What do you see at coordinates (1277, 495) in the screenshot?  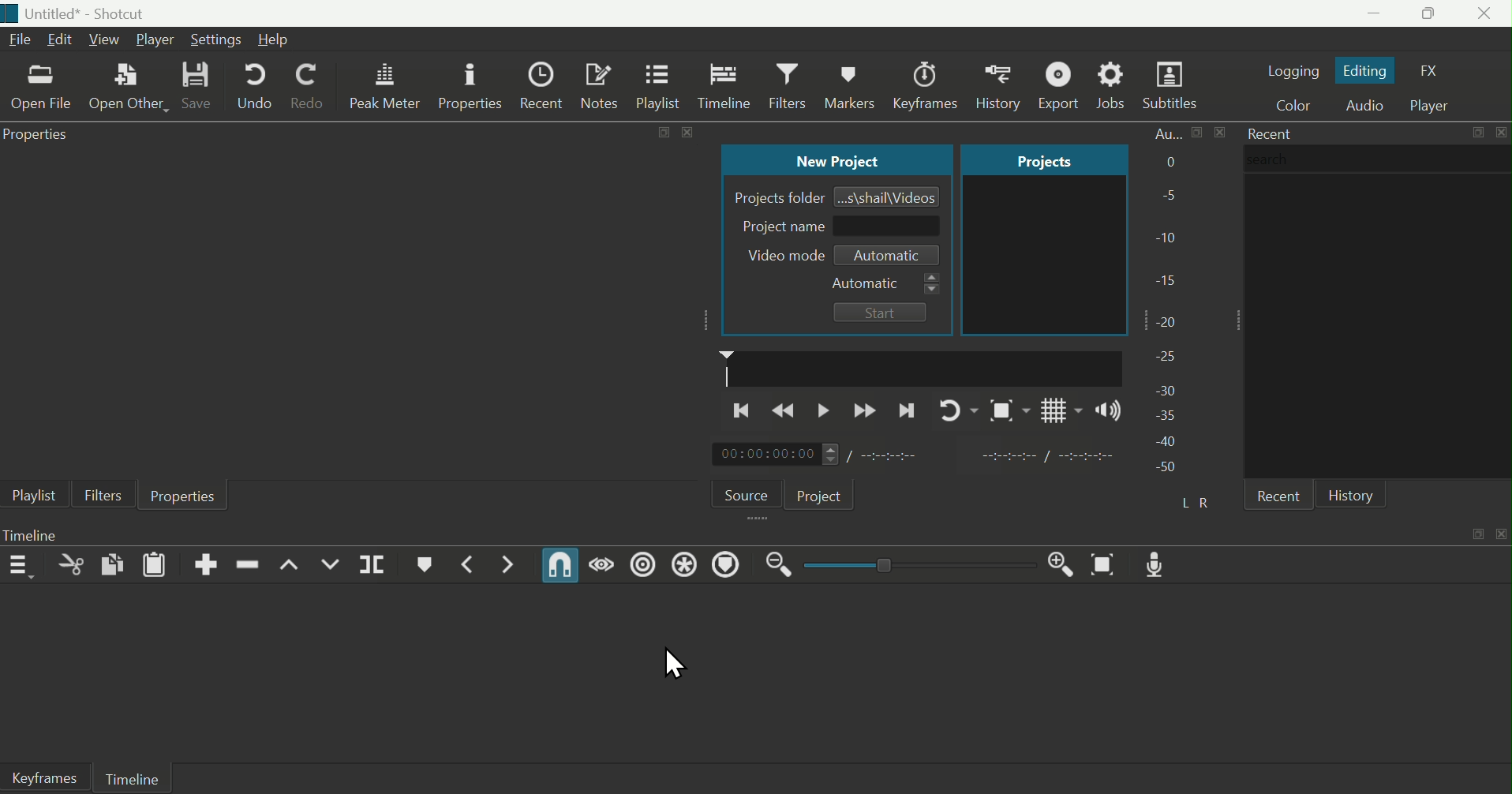 I see `recent` at bounding box center [1277, 495].